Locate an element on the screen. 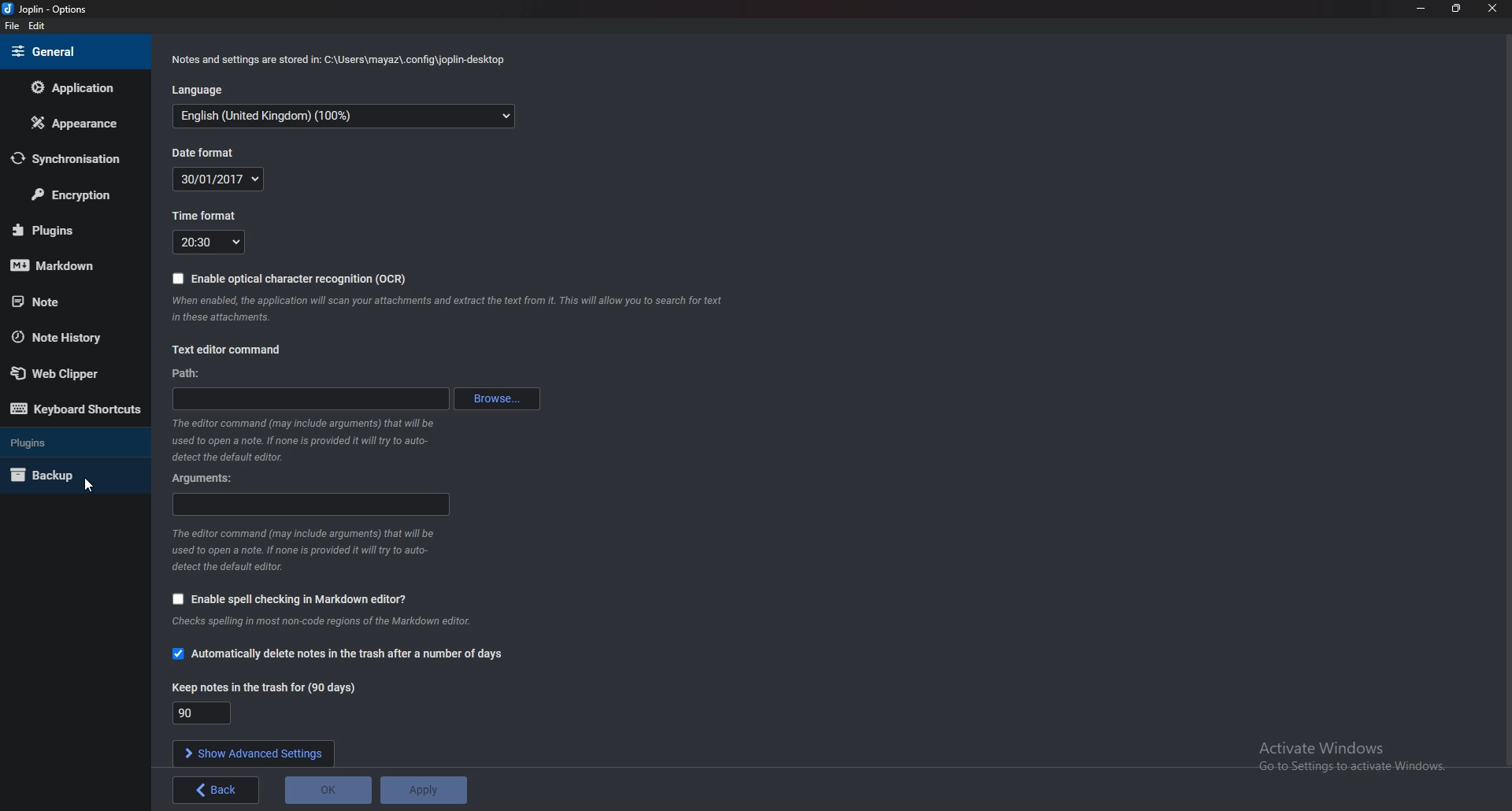 The width and height of the screenshot is (1512, 811). apply is located at coordinates (217, 791).